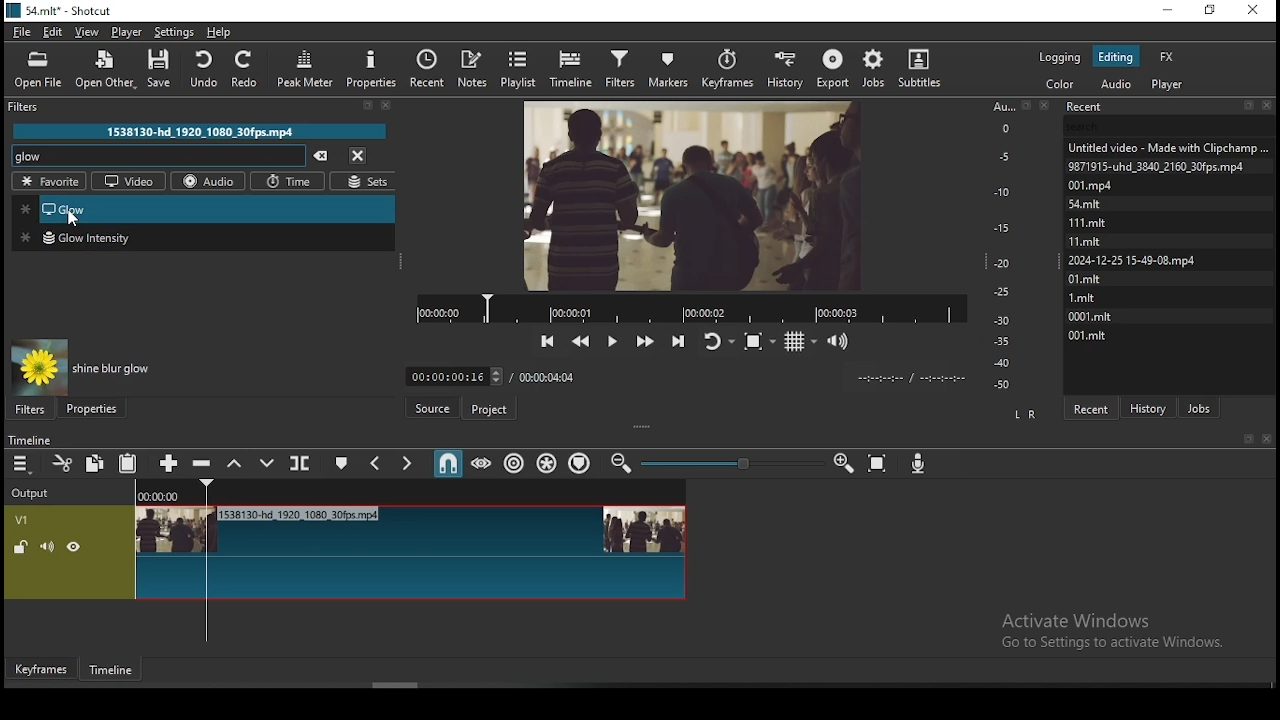  Describe the element at coordinates (1086, 297) in the screenshot. I see `1.mlt` at that location.